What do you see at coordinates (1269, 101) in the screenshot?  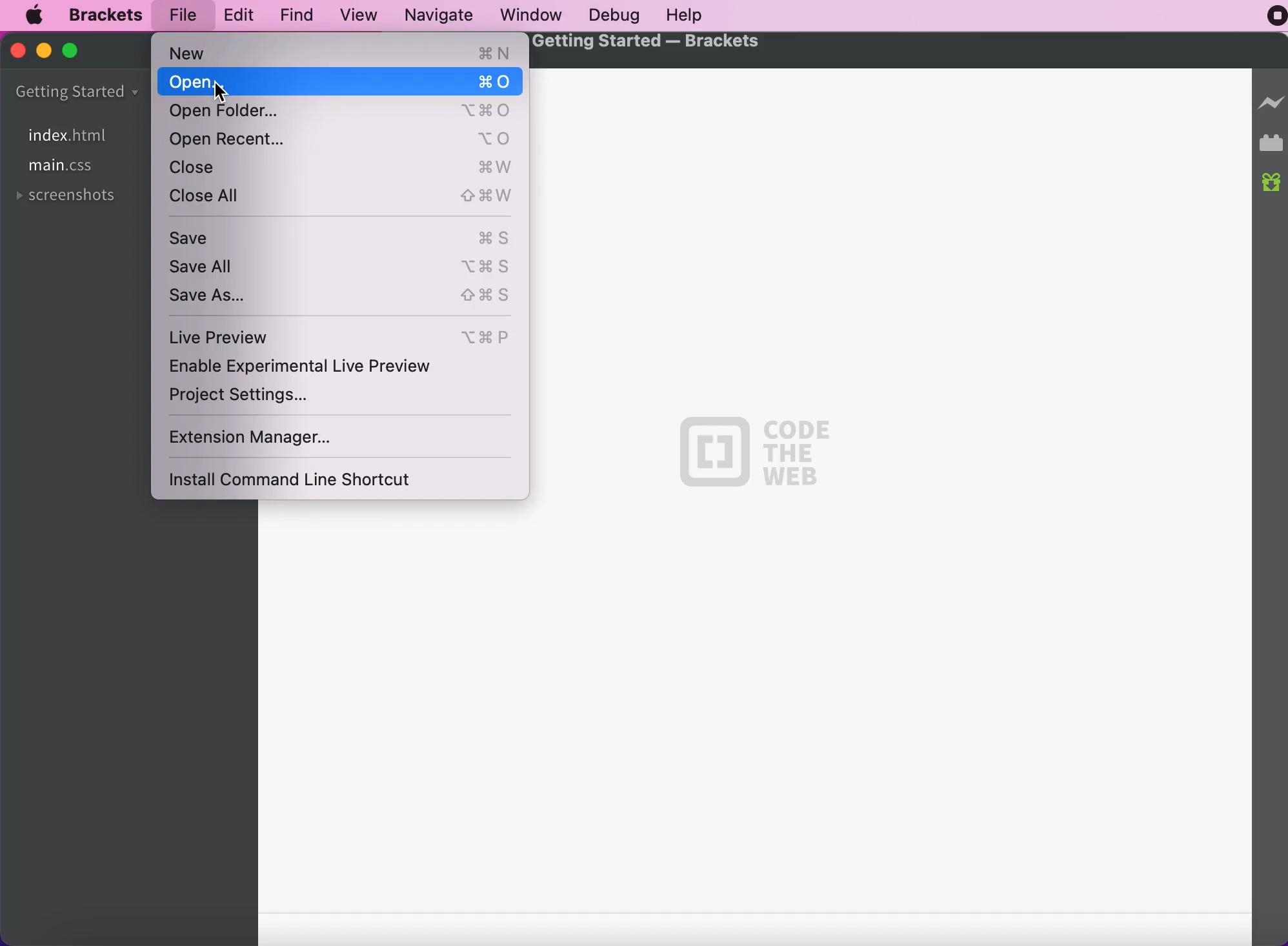 I see `live preview` at bounding box center [1269, 101].